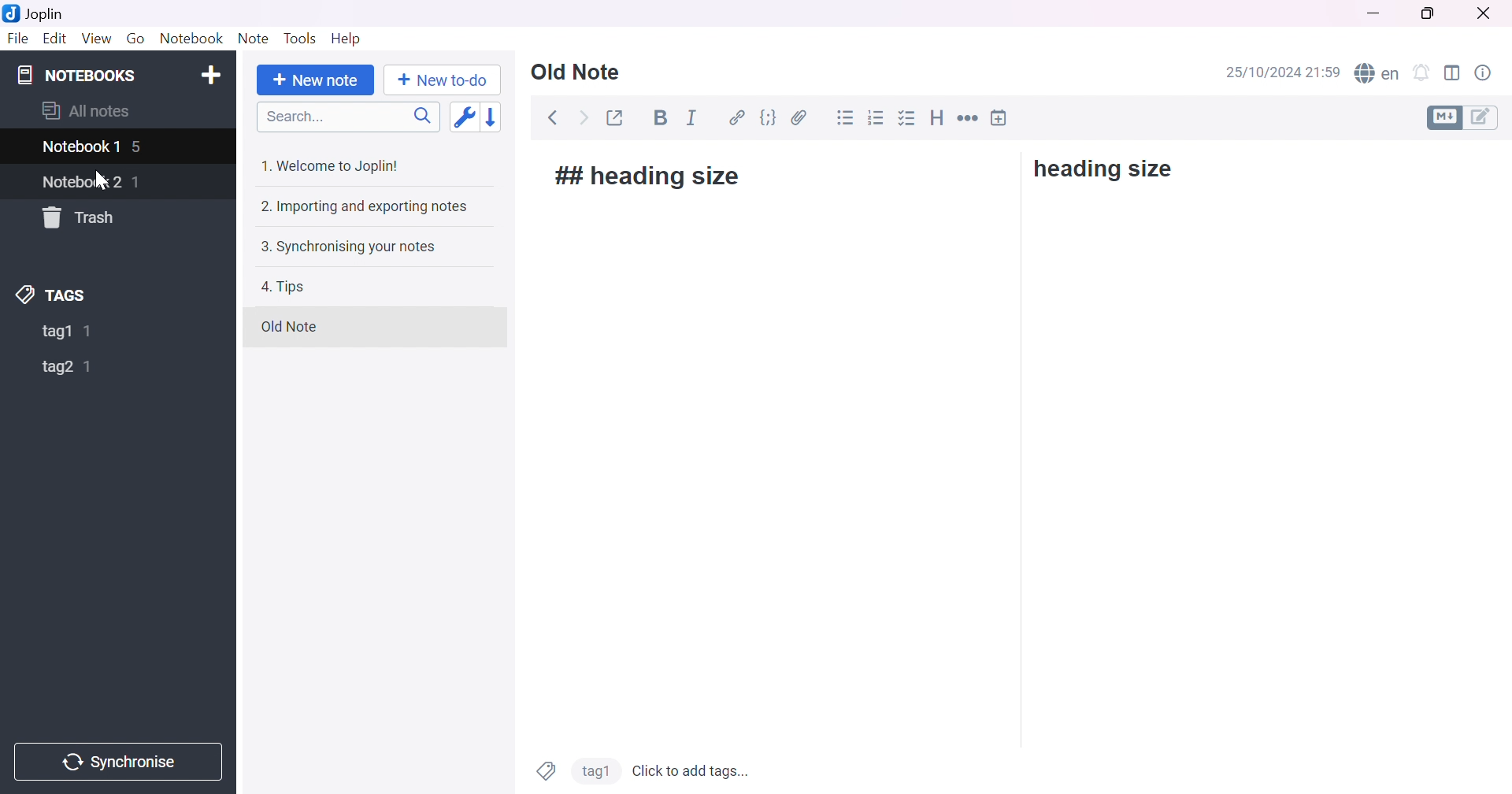 This screenshot has width=1512, height=794. Describe the element at coordinates (58, 367) in the screenshot. I see `tag2` at that location.